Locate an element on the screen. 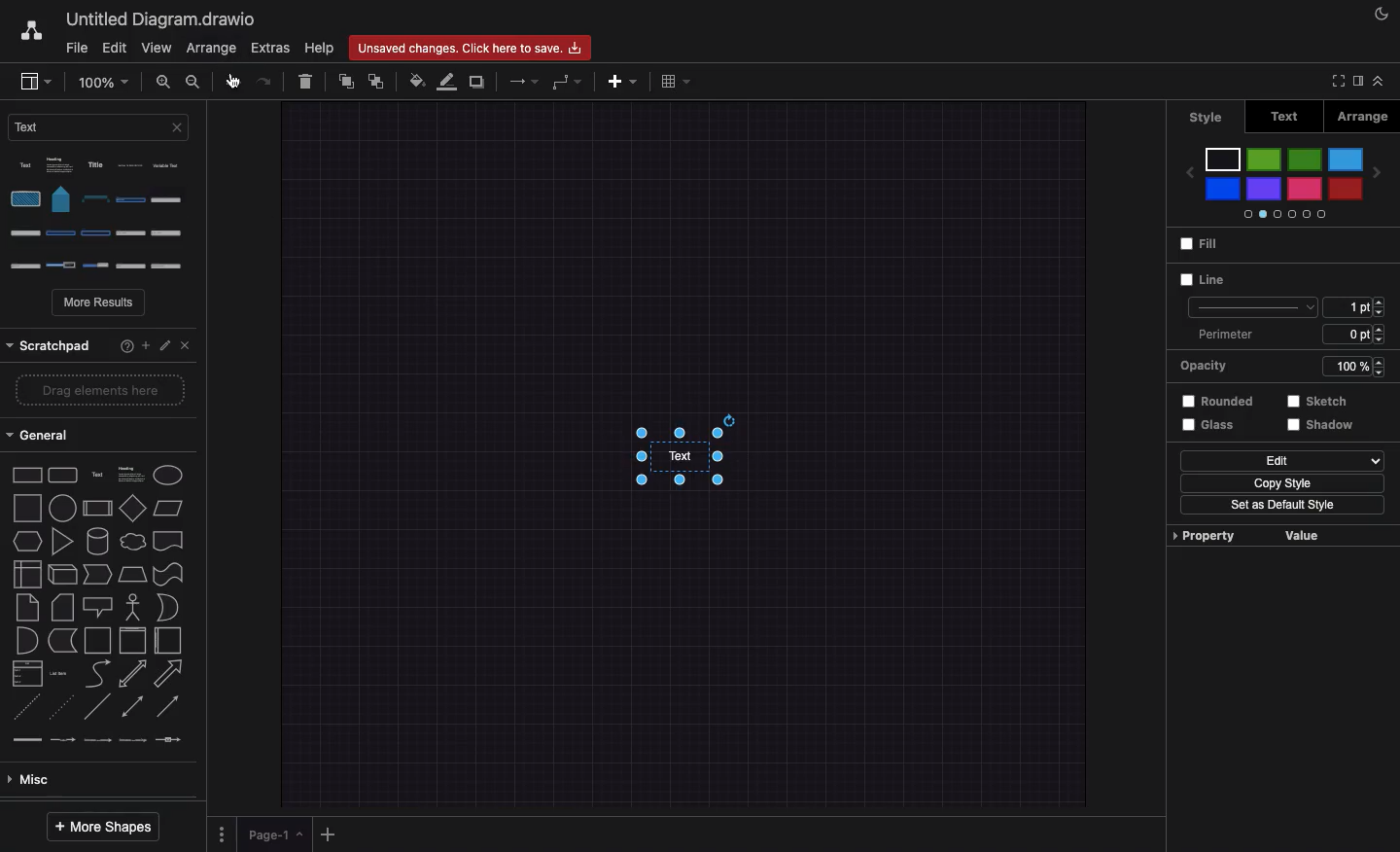 This screenshot has height=852, width=1400. Zoom in is located at coordinates (164, 85).